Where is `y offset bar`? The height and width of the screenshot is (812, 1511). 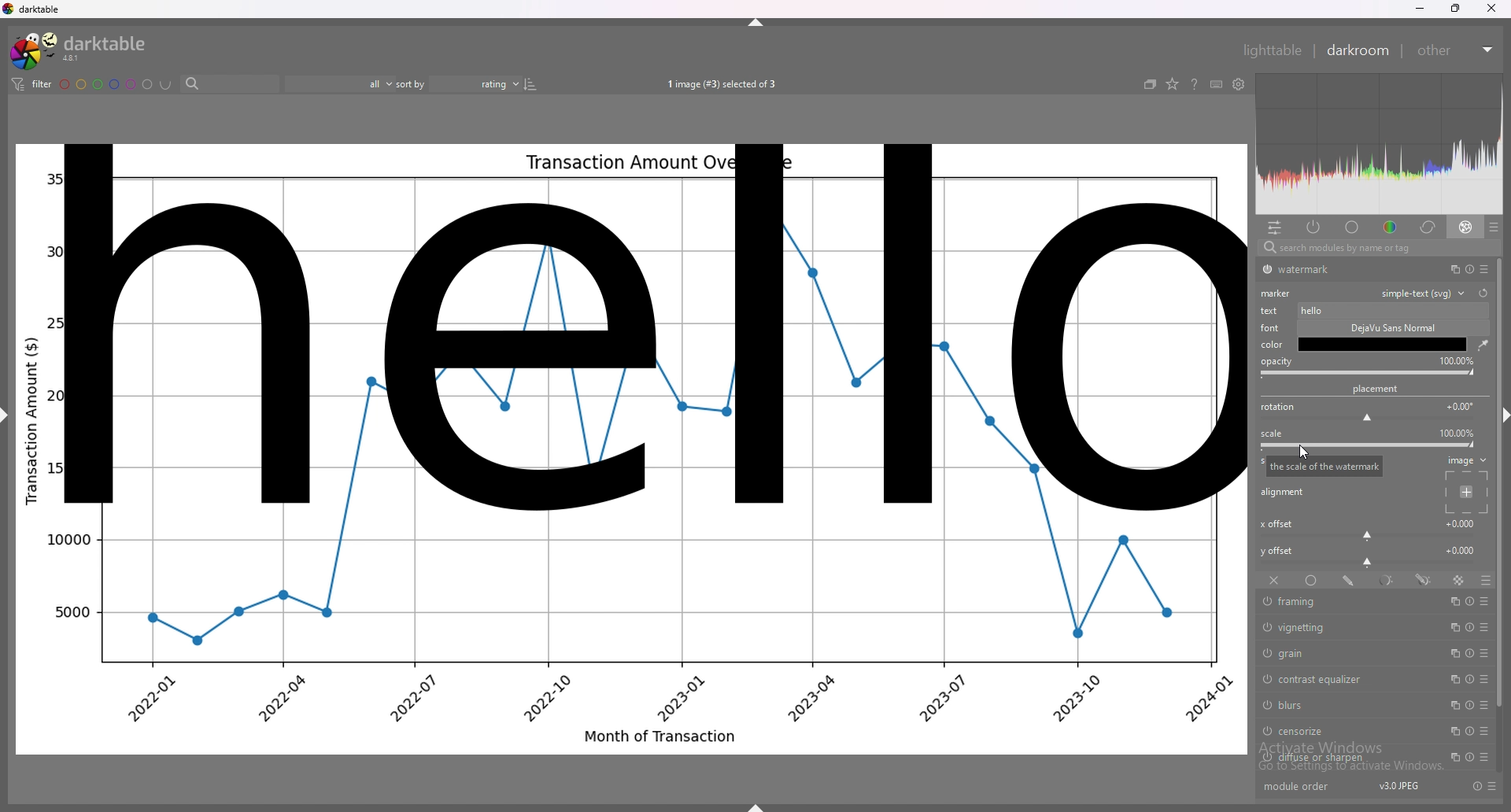
y offset bar is located at coordinates (1369, 563).